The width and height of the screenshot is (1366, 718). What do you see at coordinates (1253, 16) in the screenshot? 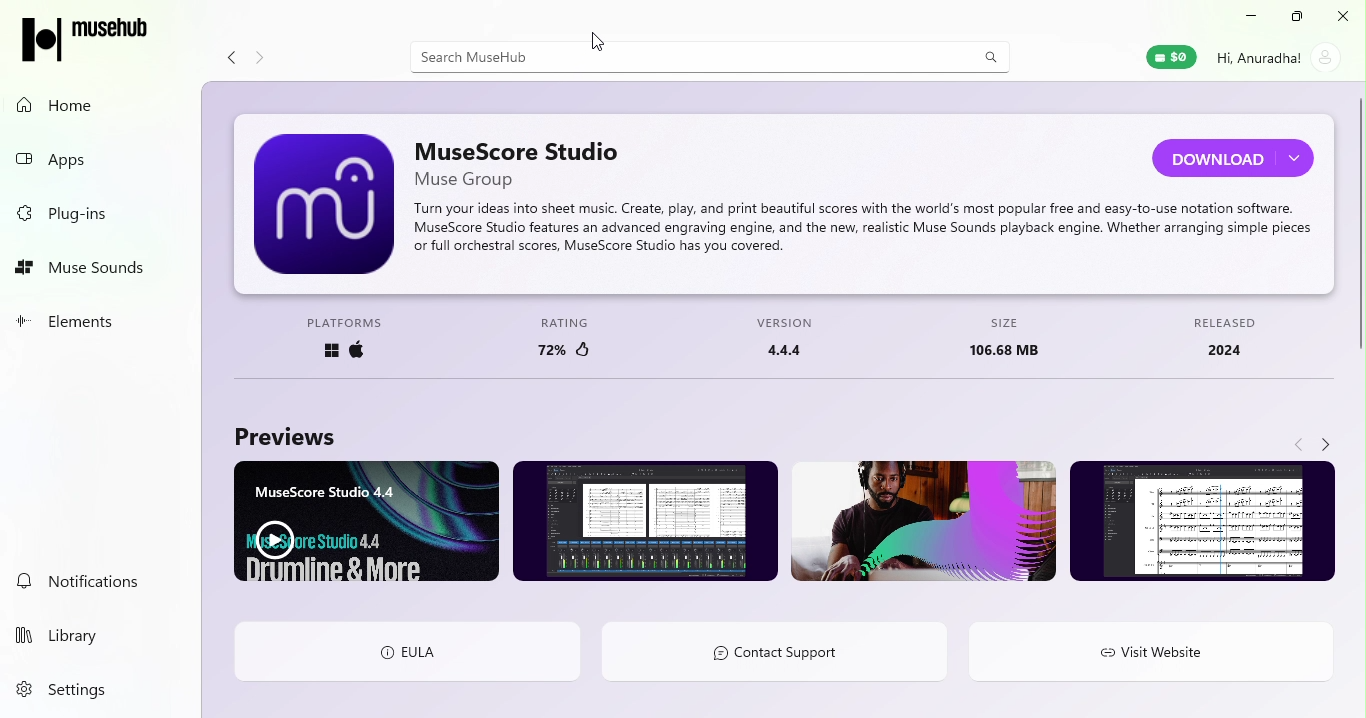
I see `Minimize` at bounding box center [1253, 16].